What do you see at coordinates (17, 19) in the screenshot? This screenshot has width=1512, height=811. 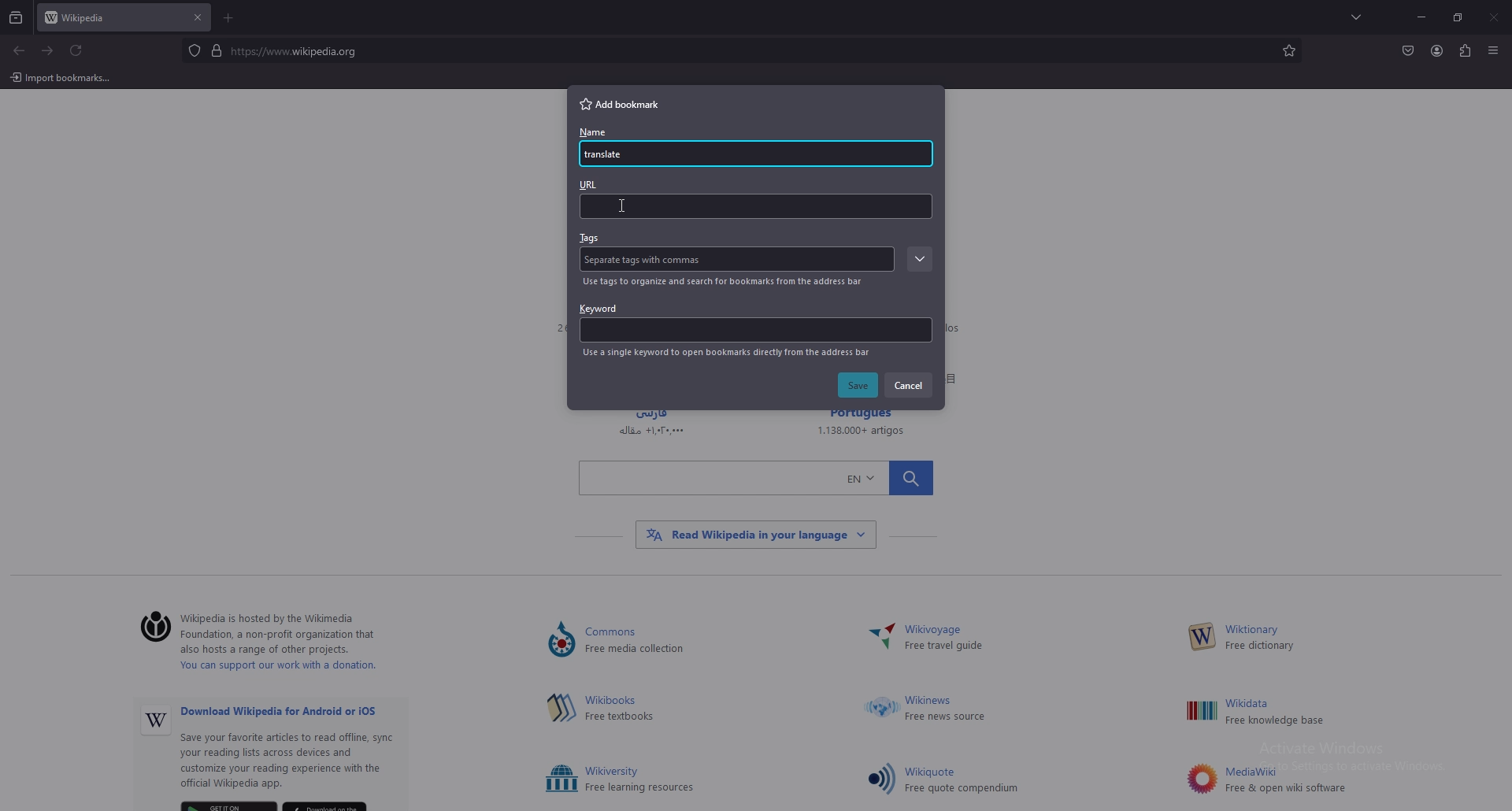 I see `recent browsing` at bounding box center [17, 19].